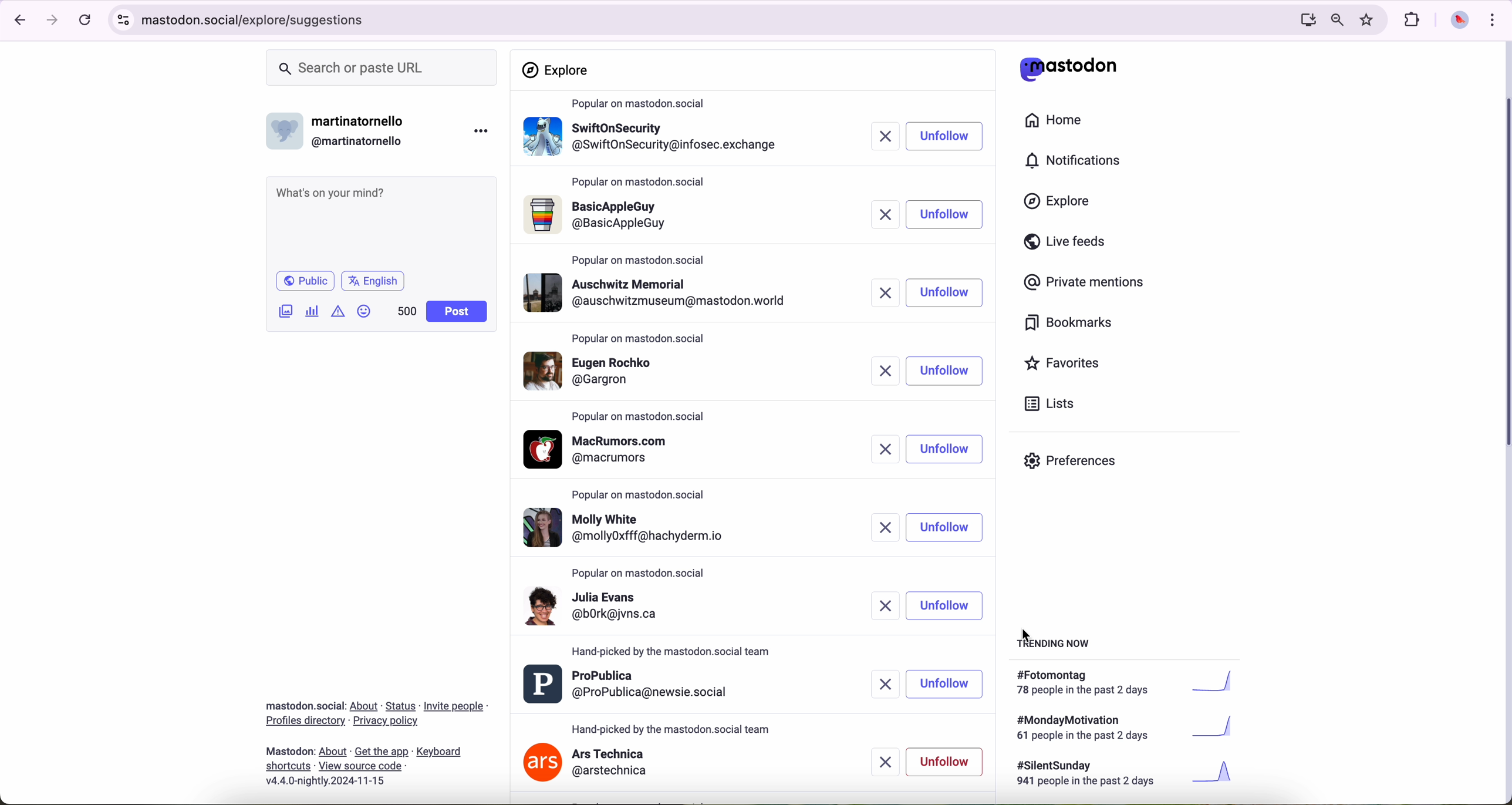 Image resolution: width=1512 pixels, height=805 pixels. What do you see at coordinates (880, 213) in the screenshot?
I see `remove` at bounding box center [880, 213].